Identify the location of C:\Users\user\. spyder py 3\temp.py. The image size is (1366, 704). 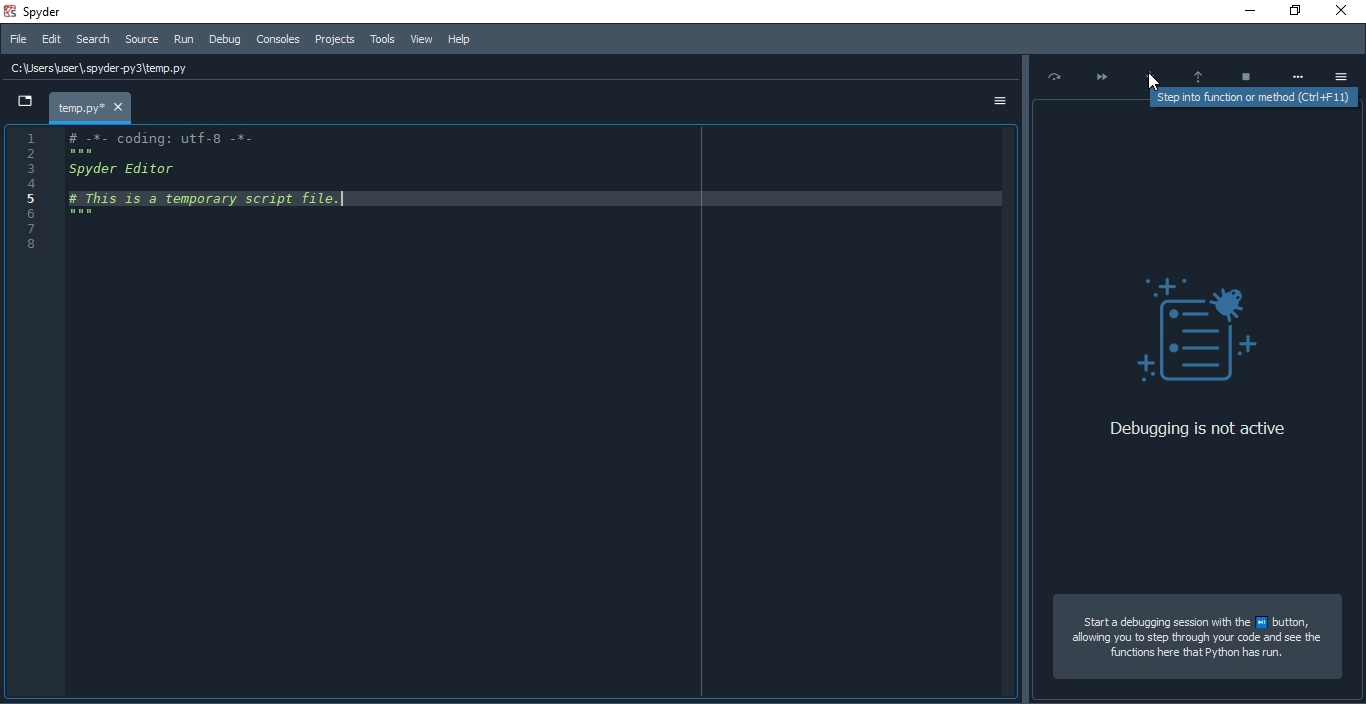
(108, 67).